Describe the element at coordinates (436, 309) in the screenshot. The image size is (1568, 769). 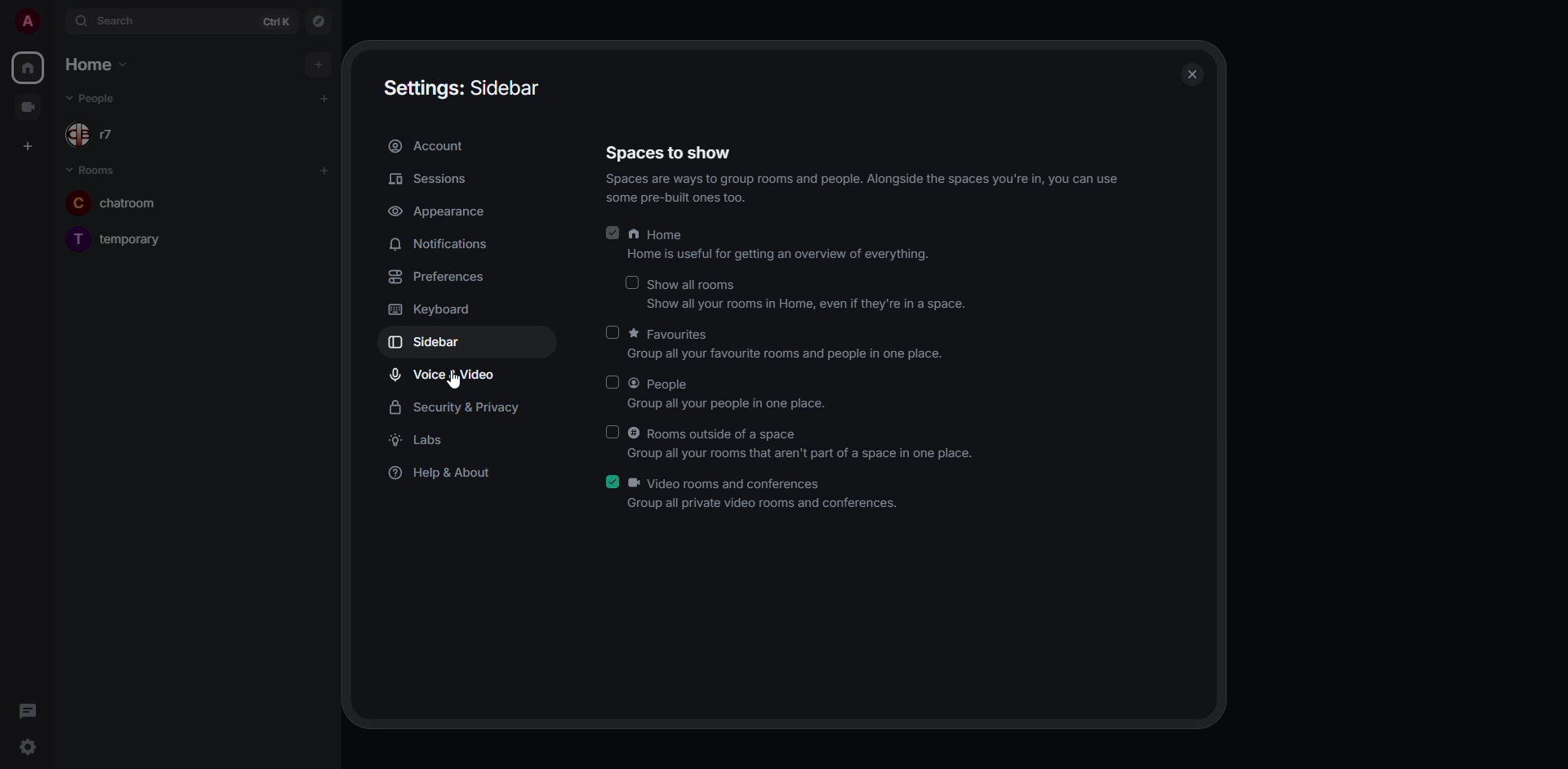
I see `keyboard` at that location.